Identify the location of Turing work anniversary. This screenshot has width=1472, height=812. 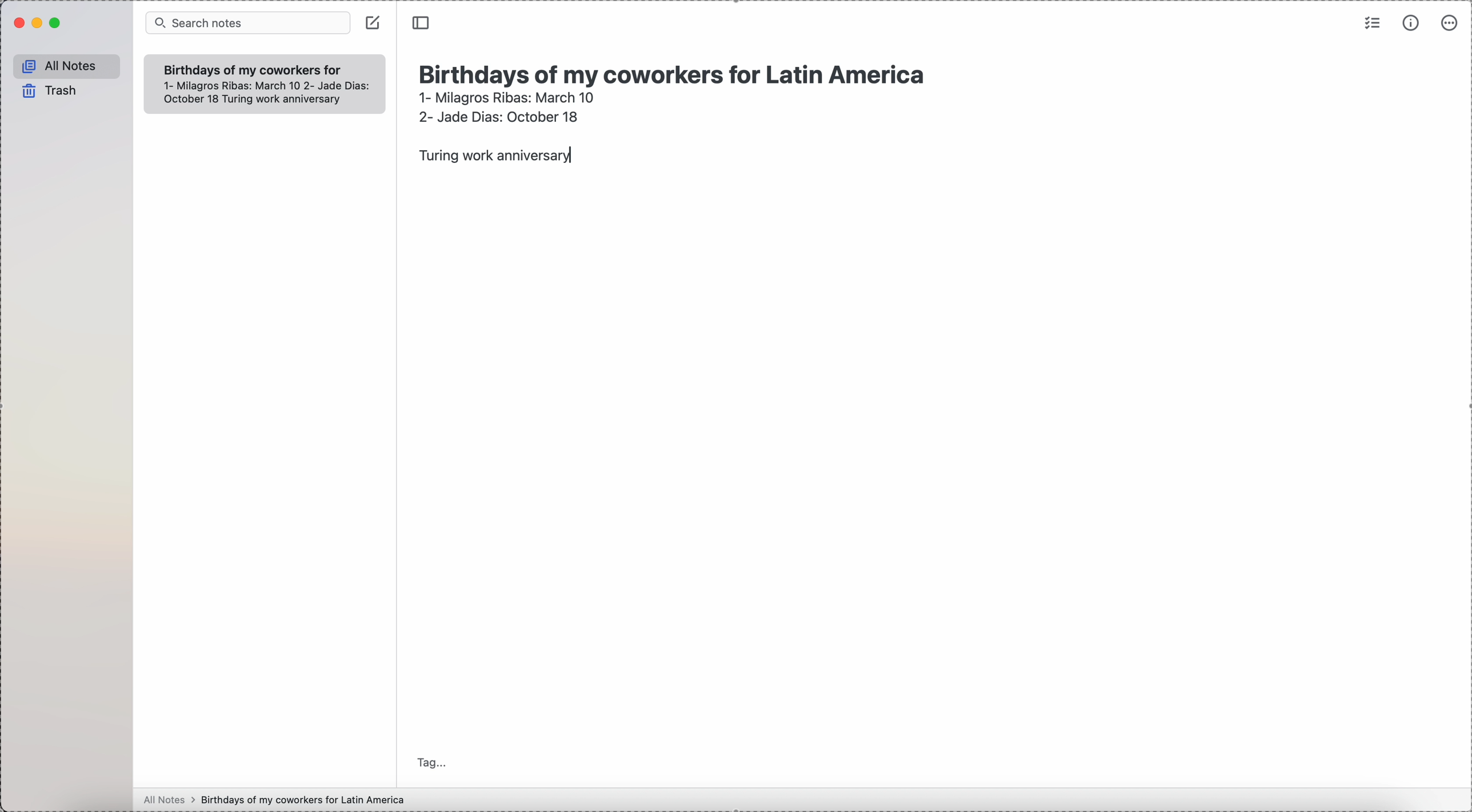
(491, 157).